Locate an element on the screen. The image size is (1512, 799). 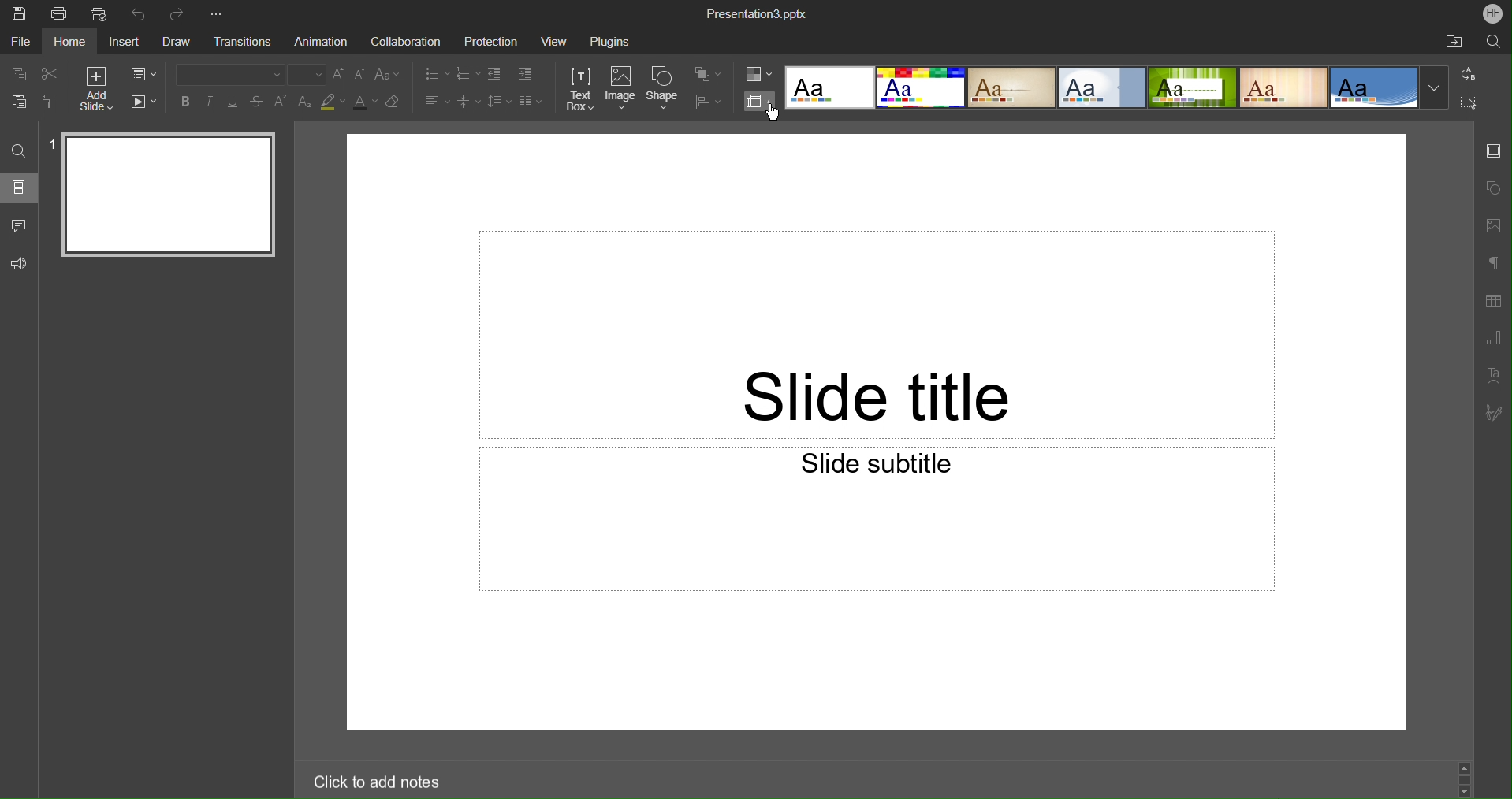
Decrease size is located at coordinates (361, 76).